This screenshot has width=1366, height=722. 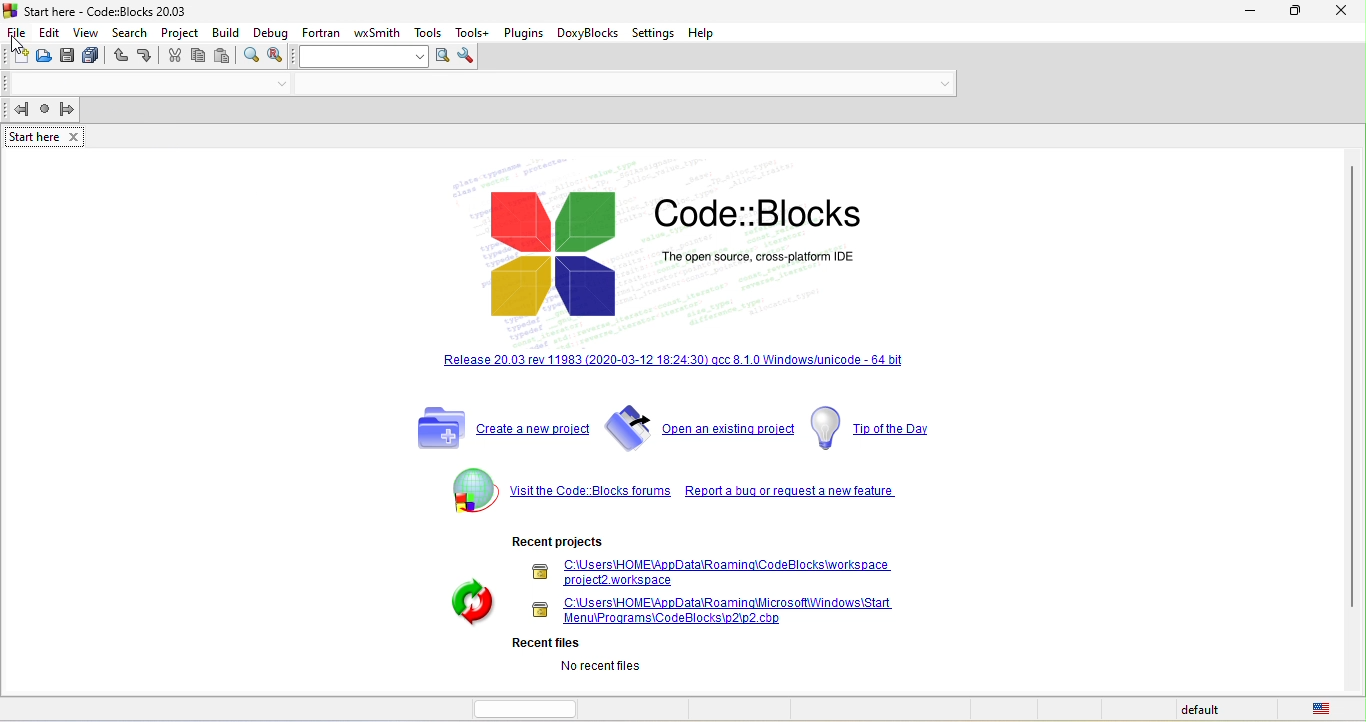 What do you see at coordinates (133, 32) in the screenshot?
I see `search` at bounding box center [133, 32].